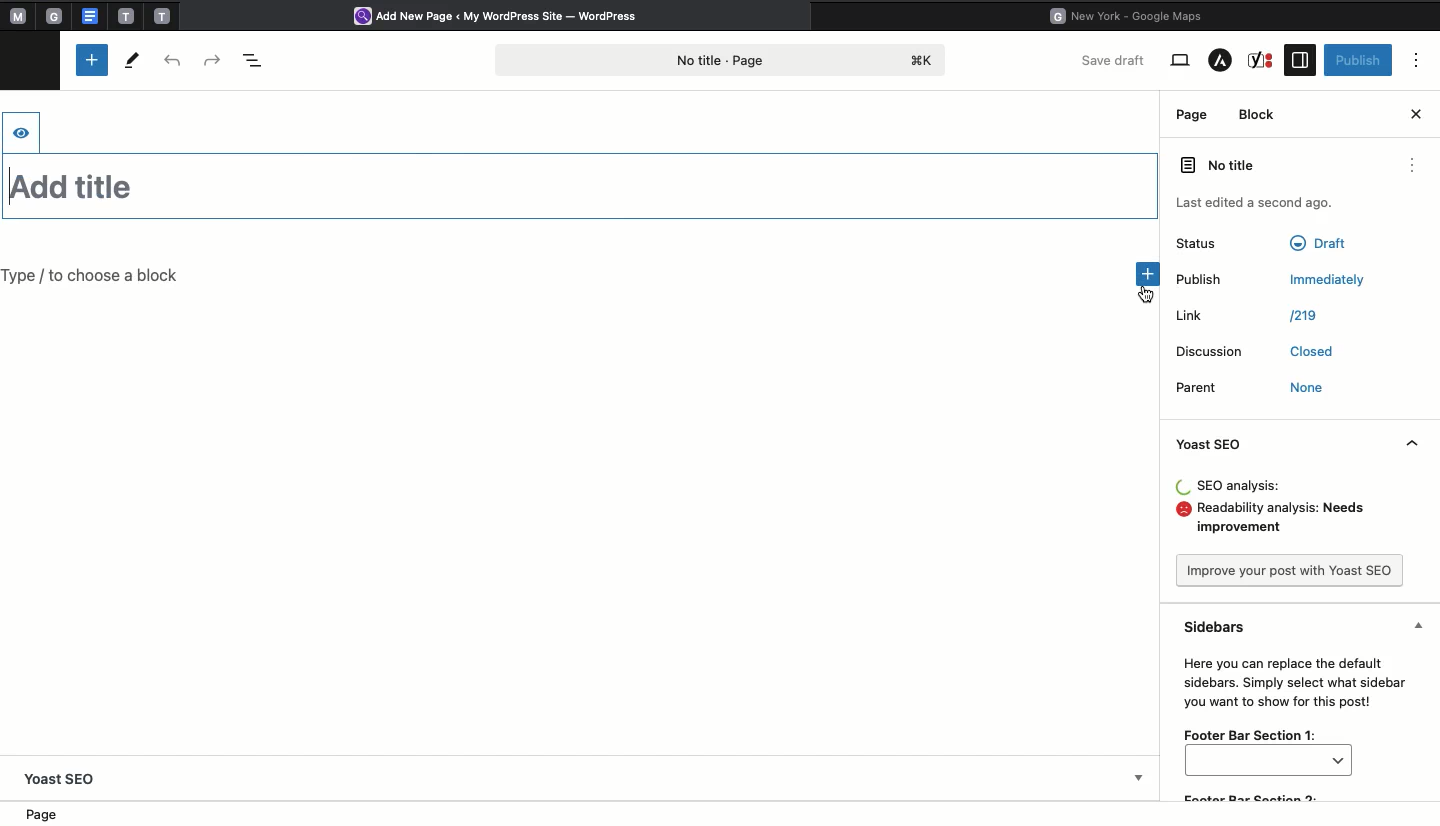 Image resolution: width=1440 pixels, height=826 pixels. Describe the element at coordinates (1208, 443) in the screenshot. I see `Yoast` at that location.